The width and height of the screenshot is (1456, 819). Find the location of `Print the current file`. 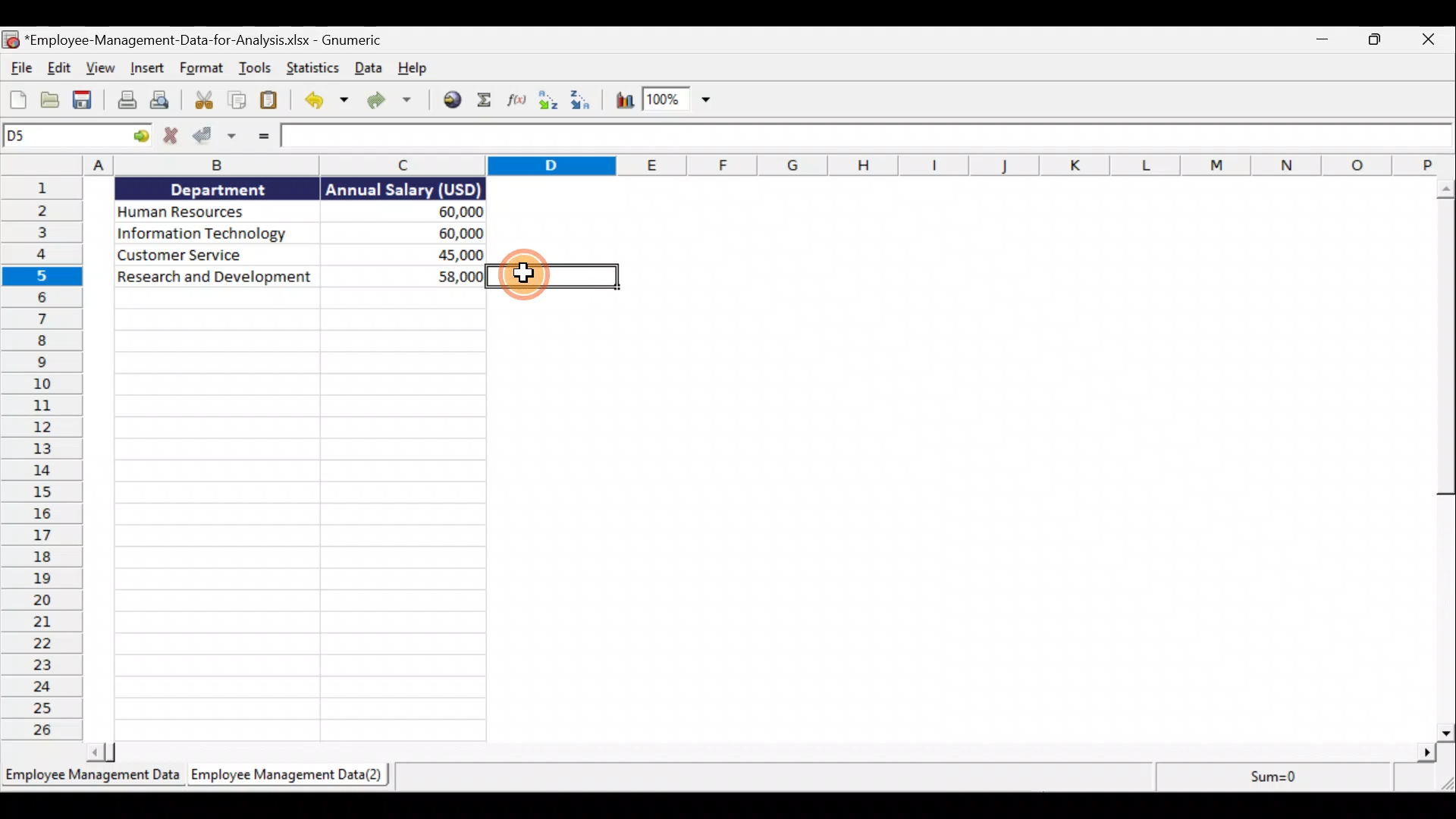

Print the current file is located at coordinates (124, 101).